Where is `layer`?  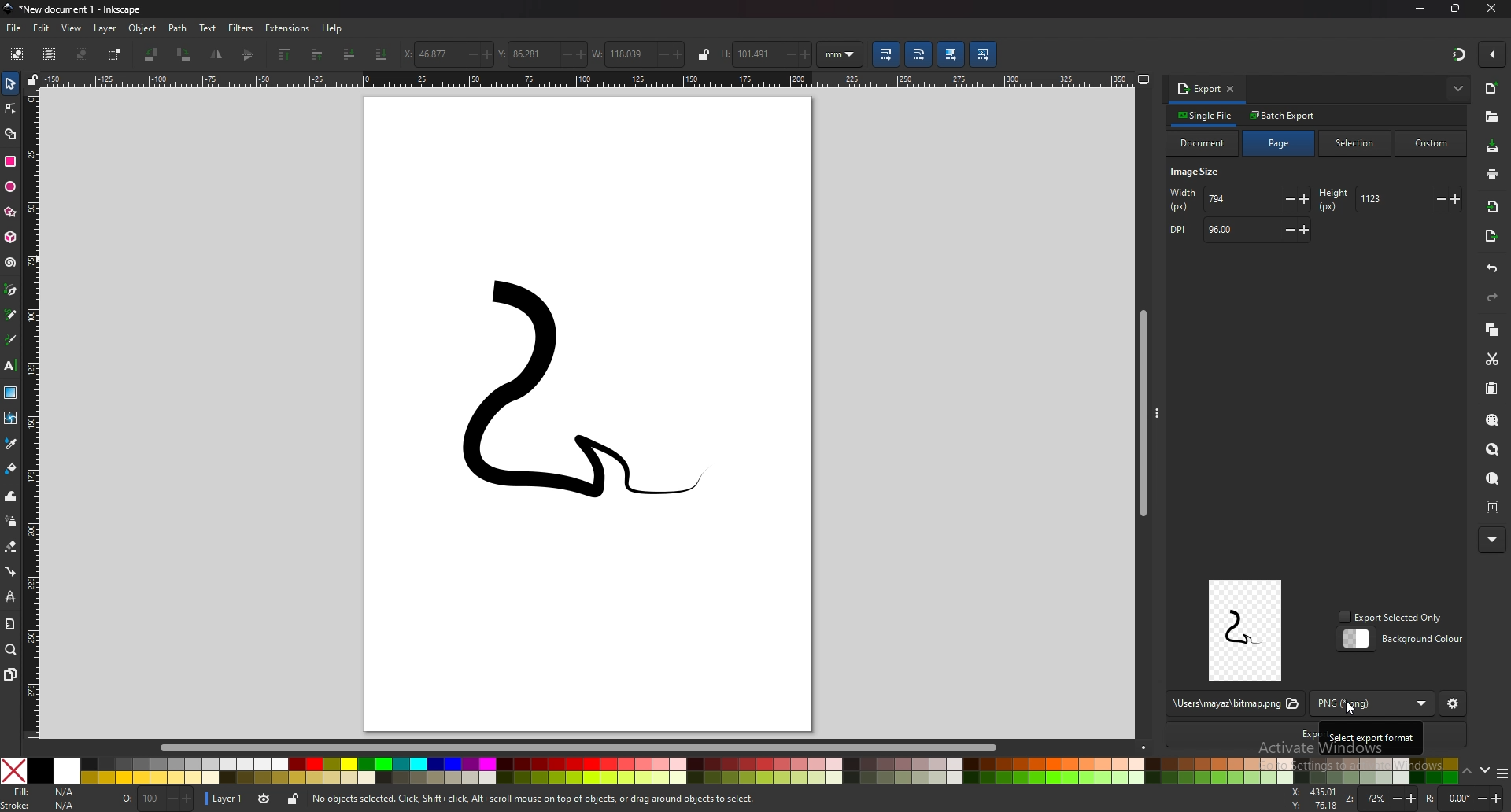
layer is located at coordinates (107, 28).